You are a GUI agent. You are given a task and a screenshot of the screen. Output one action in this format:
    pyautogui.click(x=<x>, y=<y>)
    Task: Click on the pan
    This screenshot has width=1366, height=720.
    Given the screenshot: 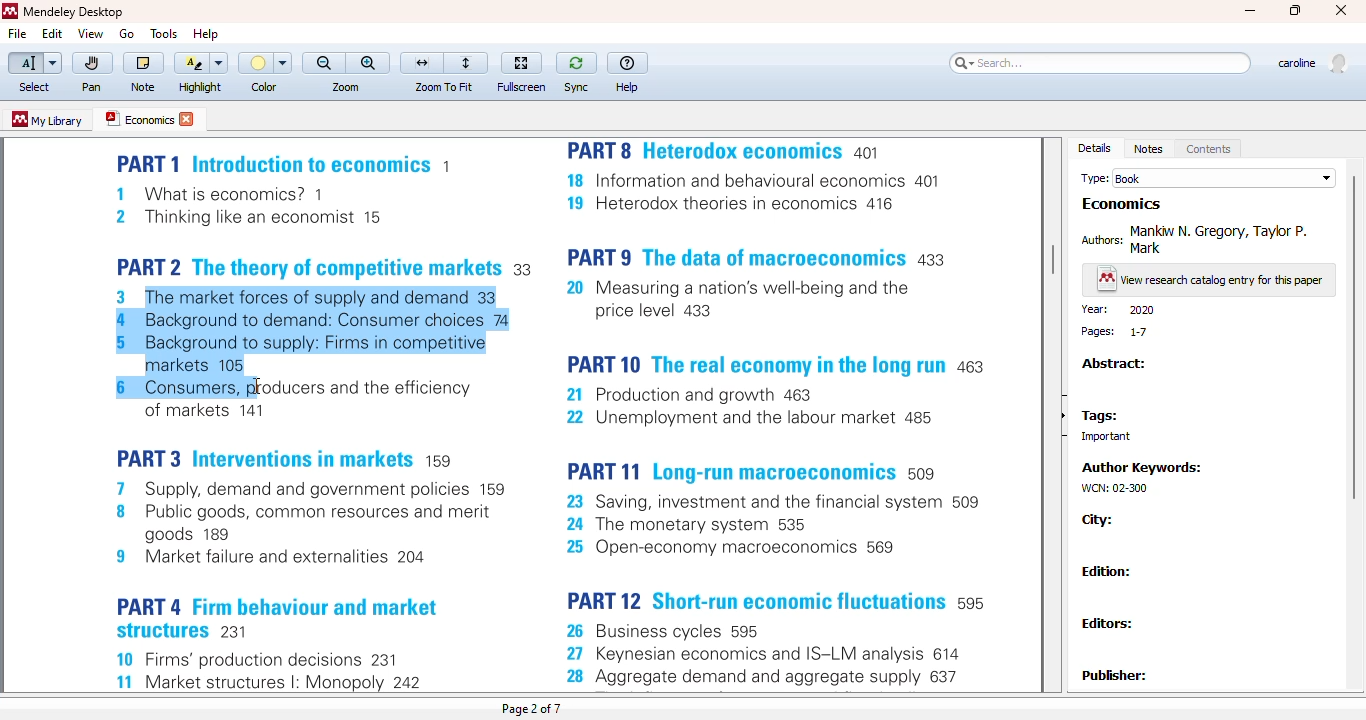 What is the action you would take?
    pyautogui.click(x=91, y=87)
    